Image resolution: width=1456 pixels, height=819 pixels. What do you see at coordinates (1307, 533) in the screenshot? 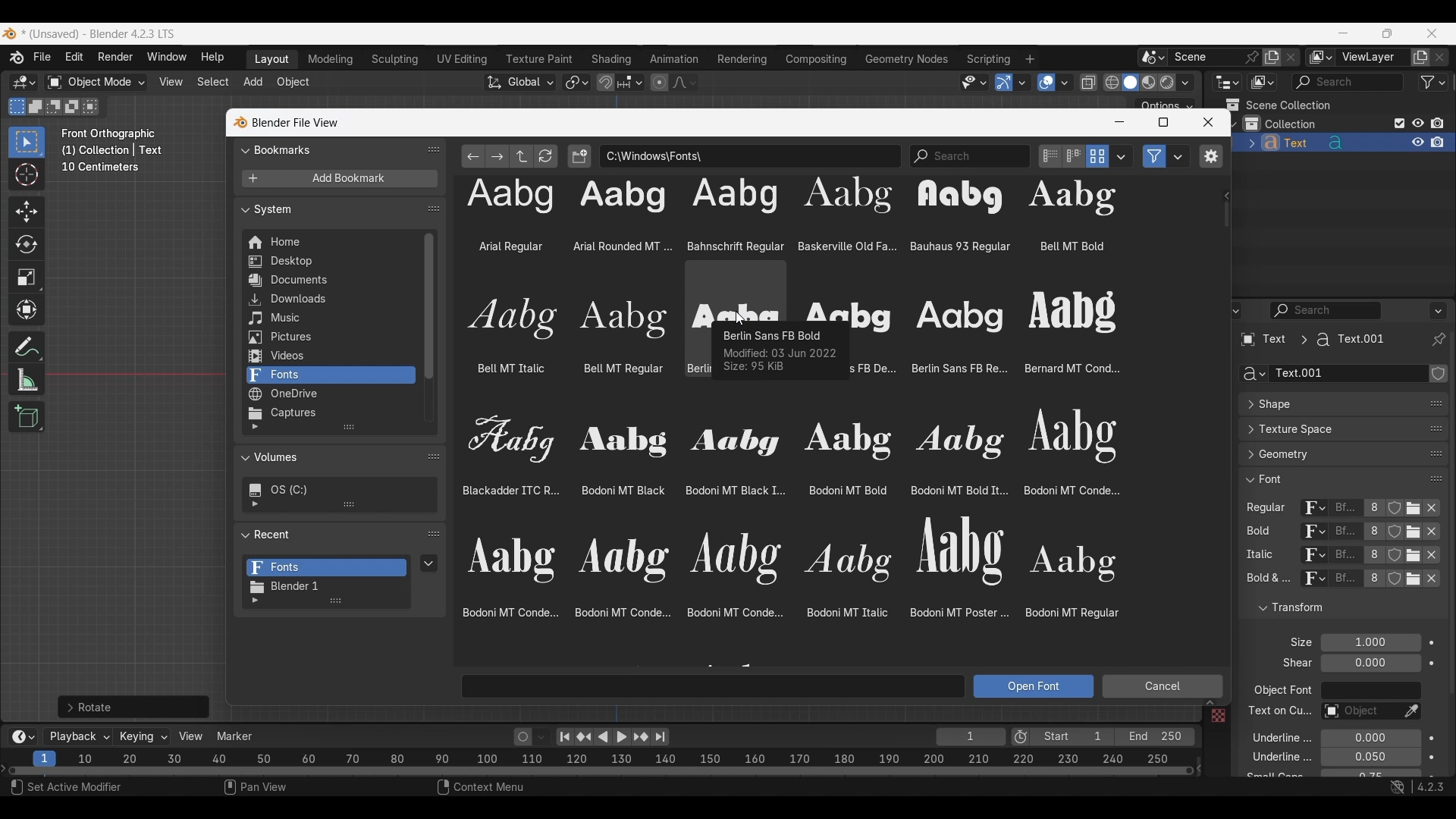
I see `Browse ID data` at bounding box center [1307, 533].